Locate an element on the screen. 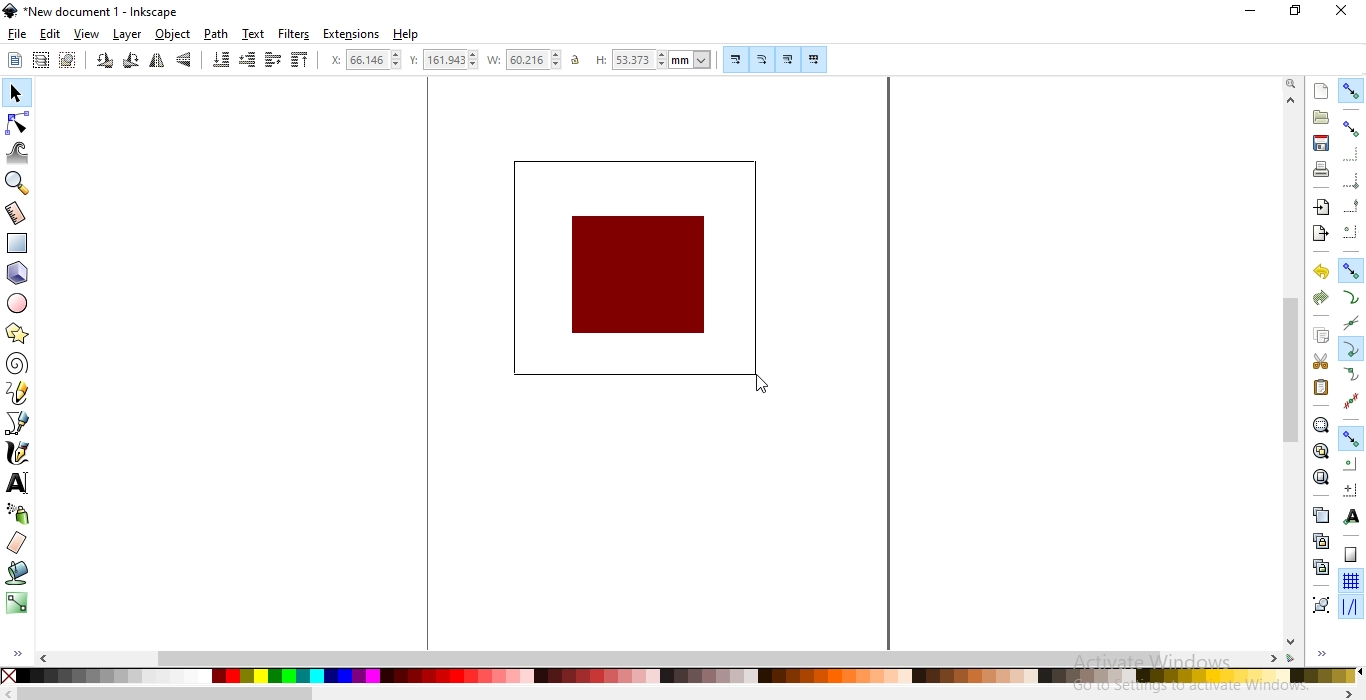 This screenshot has height=700, width=1366. snap nodes paths and handles is located at coordinates (1352, 271).